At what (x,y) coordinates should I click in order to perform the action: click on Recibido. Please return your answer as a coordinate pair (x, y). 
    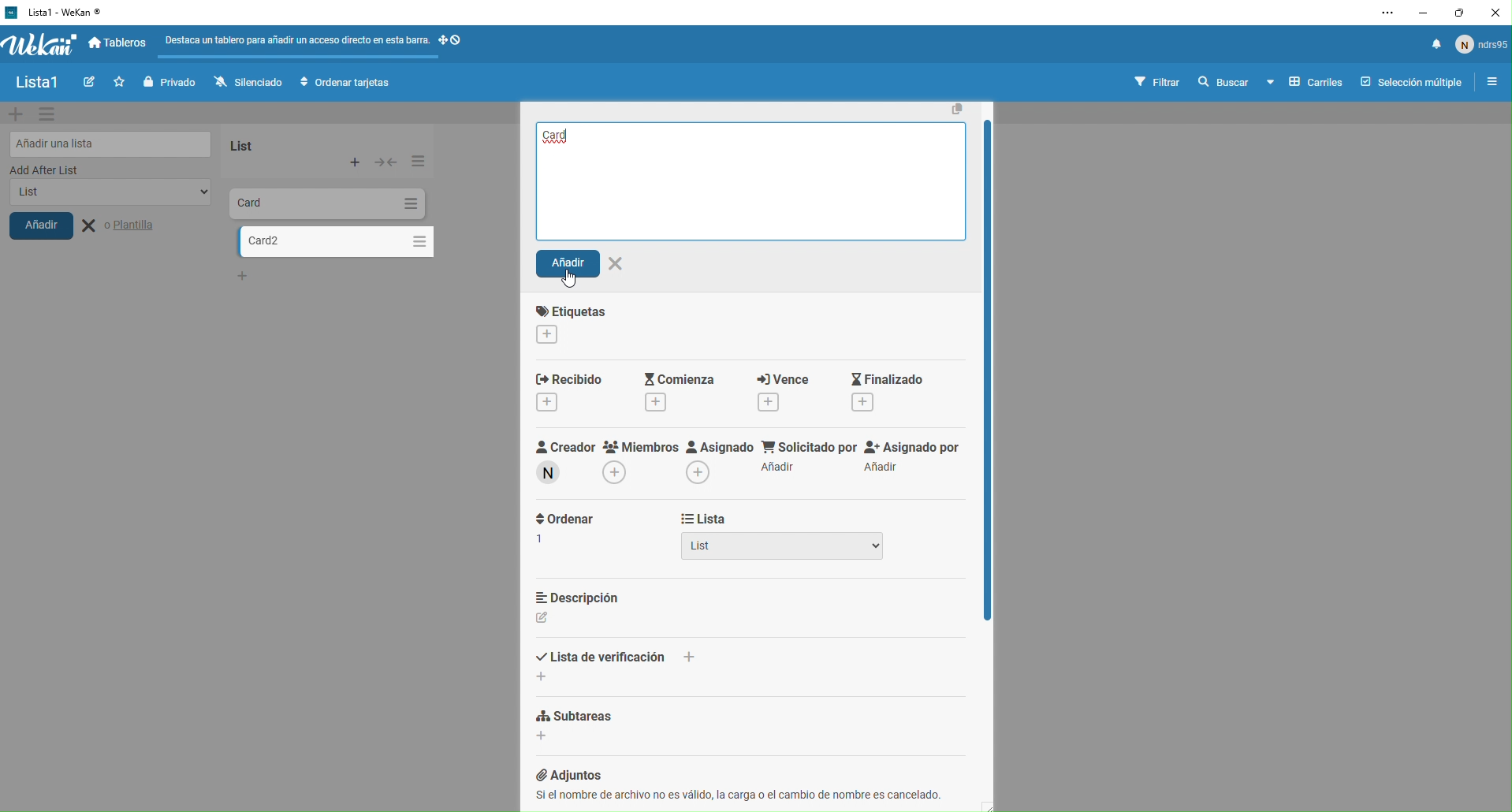
    Looking at the image, I should click on (573, 389).